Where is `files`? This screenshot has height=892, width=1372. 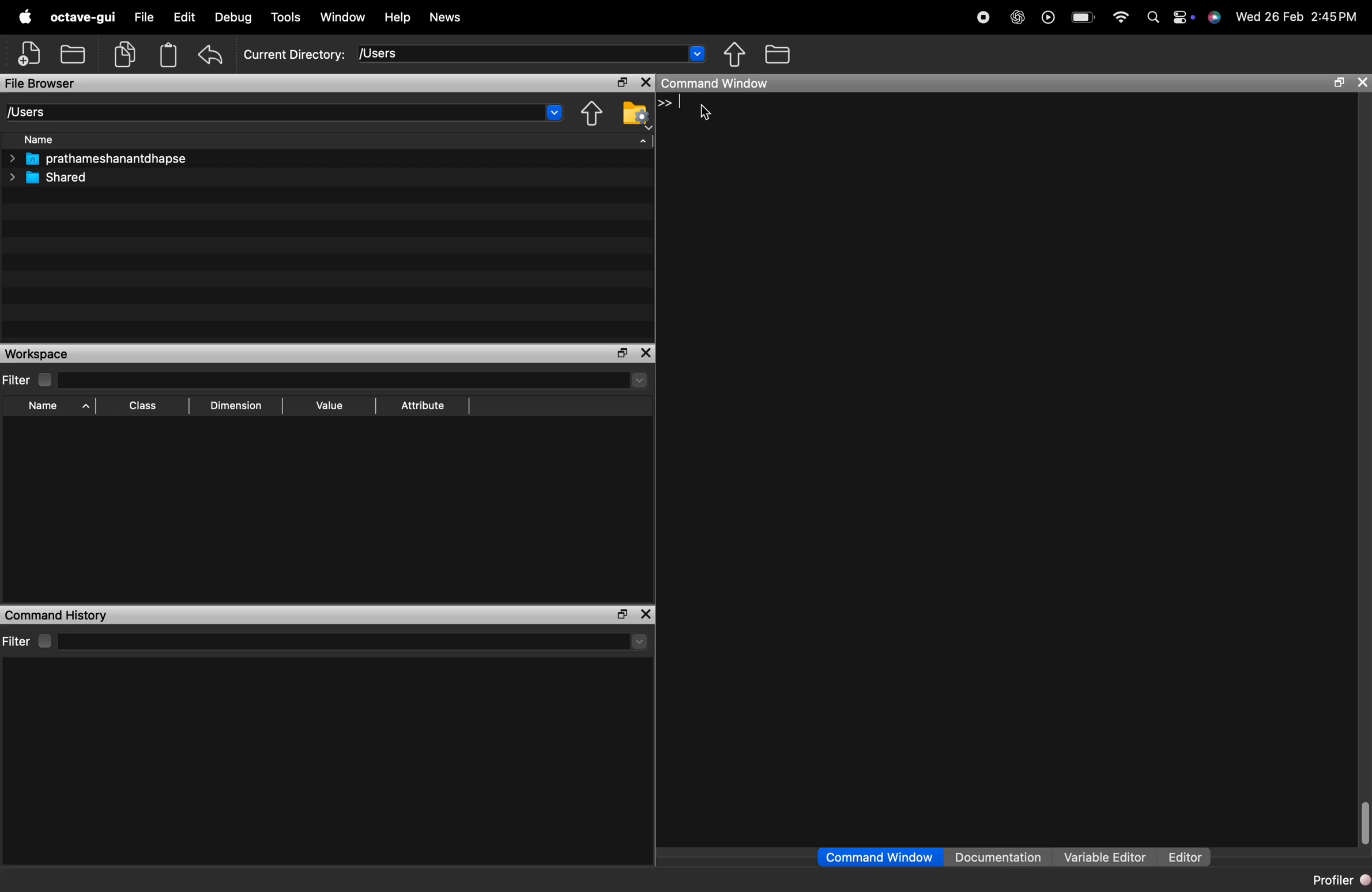 files is located at coordinates (789, 55).